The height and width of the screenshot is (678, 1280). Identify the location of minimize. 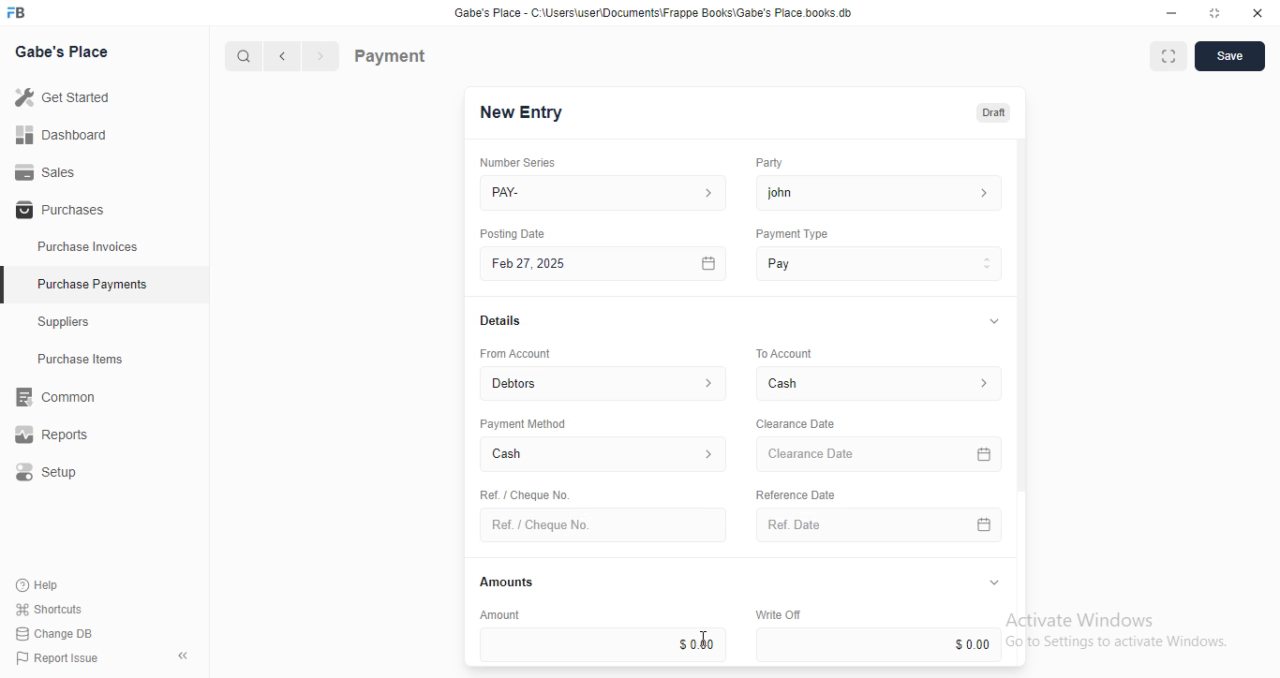
(1166, 12).